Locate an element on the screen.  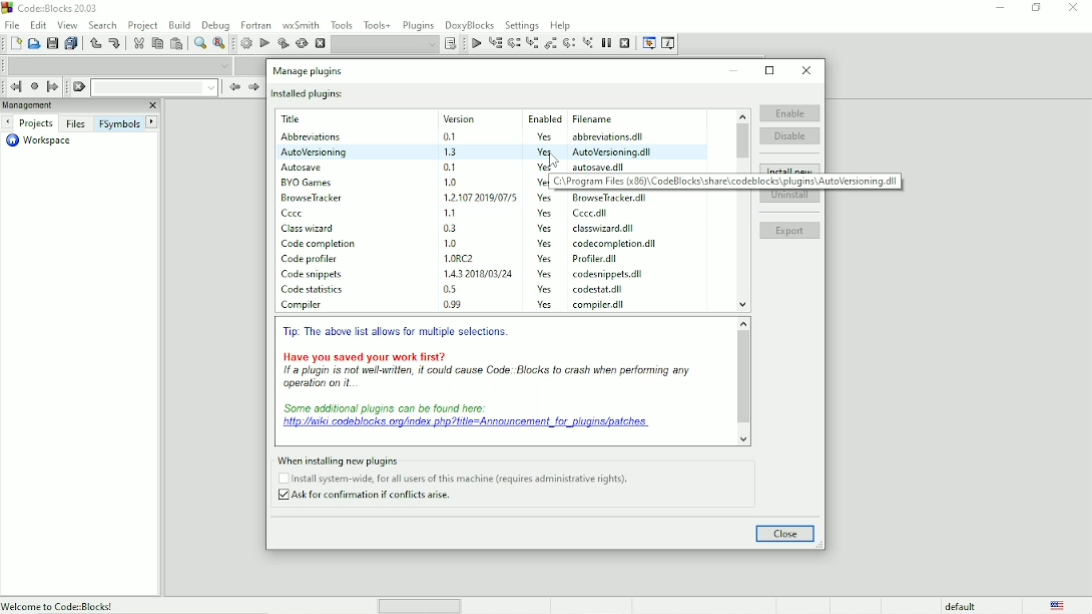
Yes is located at coordinates (543, 198).